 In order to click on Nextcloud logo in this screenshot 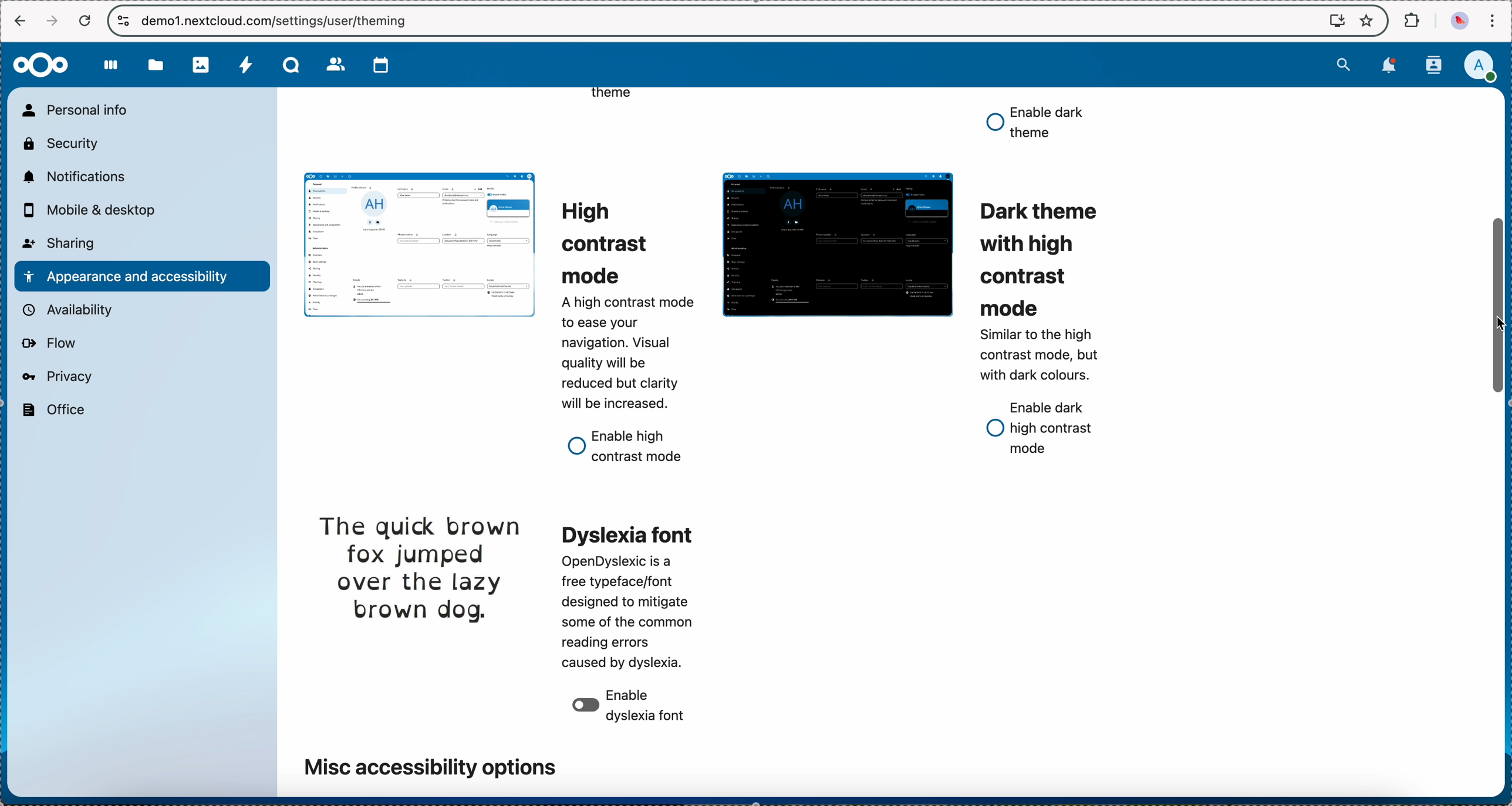, I will do `click(42, 64)`.